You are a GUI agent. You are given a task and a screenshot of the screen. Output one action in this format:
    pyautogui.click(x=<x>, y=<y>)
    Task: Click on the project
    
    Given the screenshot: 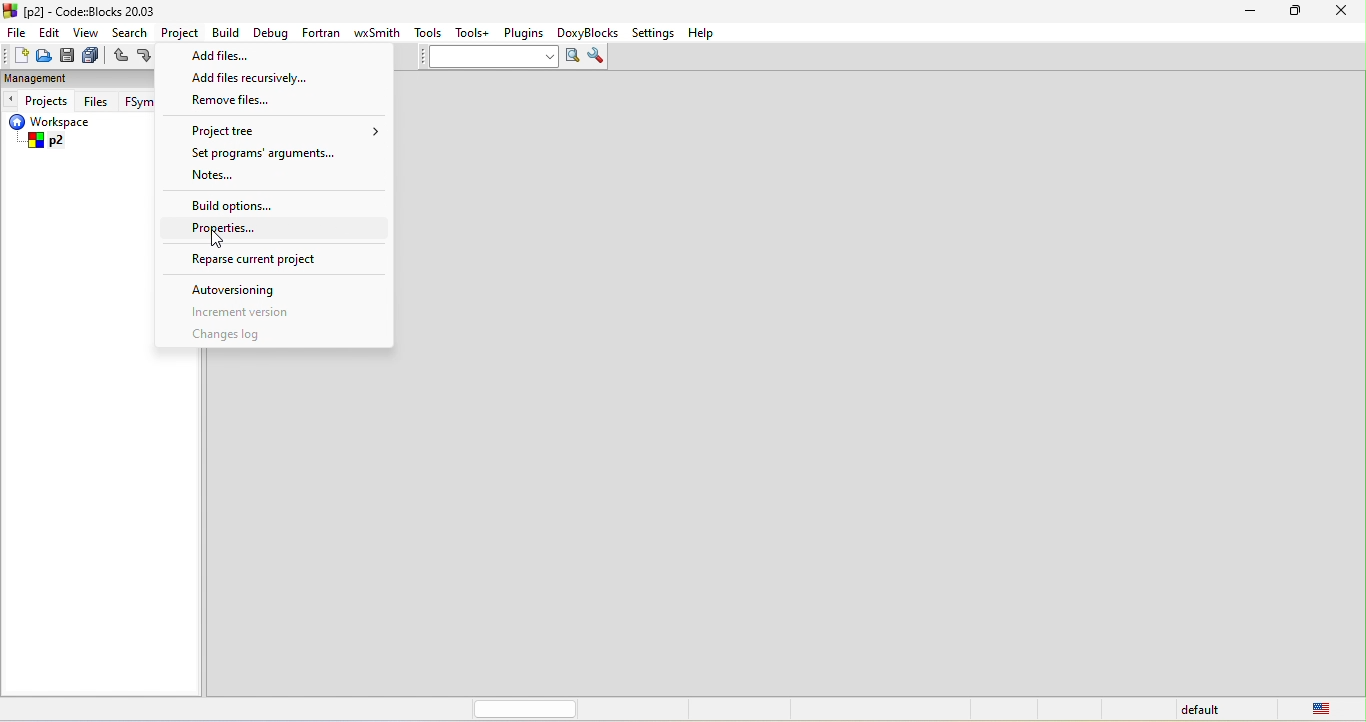 What is the action you would take?
    pyautogui.click(x=184, y=33)
    